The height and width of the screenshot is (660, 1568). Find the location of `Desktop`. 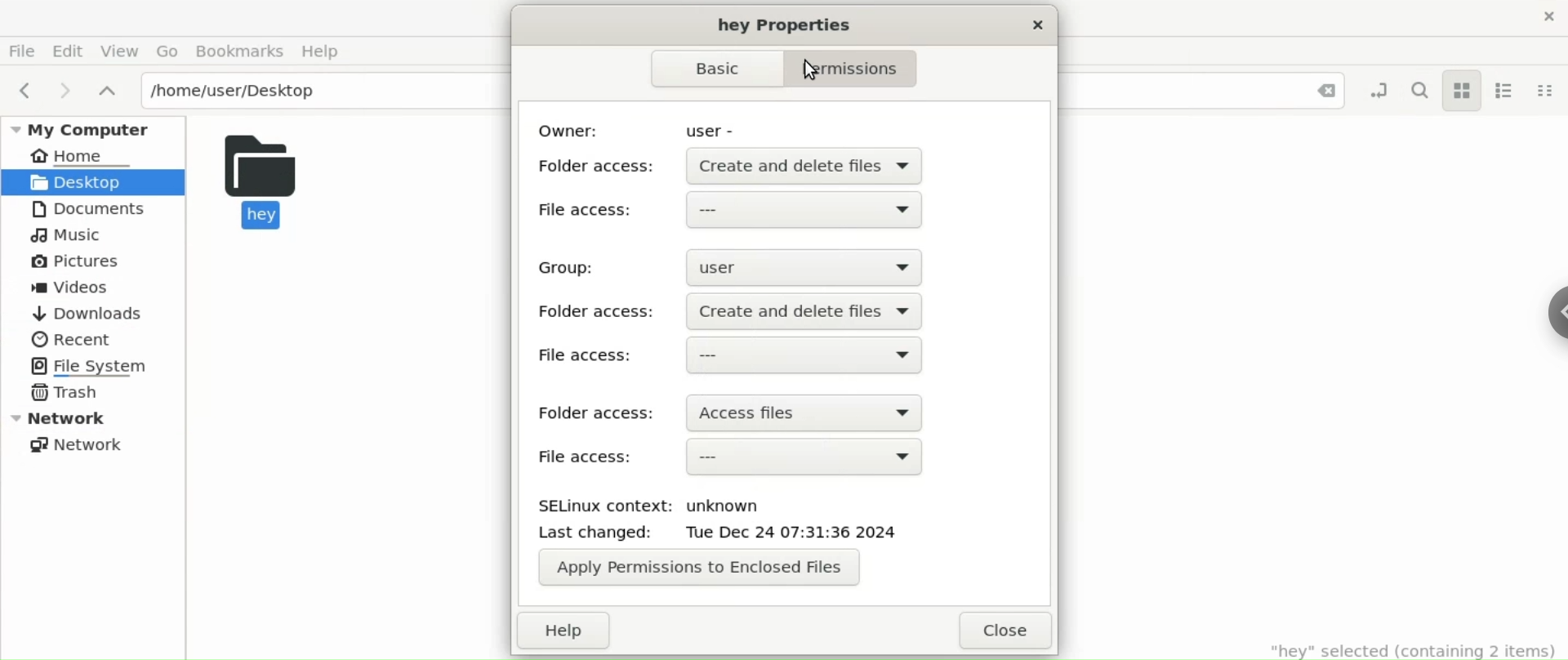

Desktop is located at coordinates (96, 181).